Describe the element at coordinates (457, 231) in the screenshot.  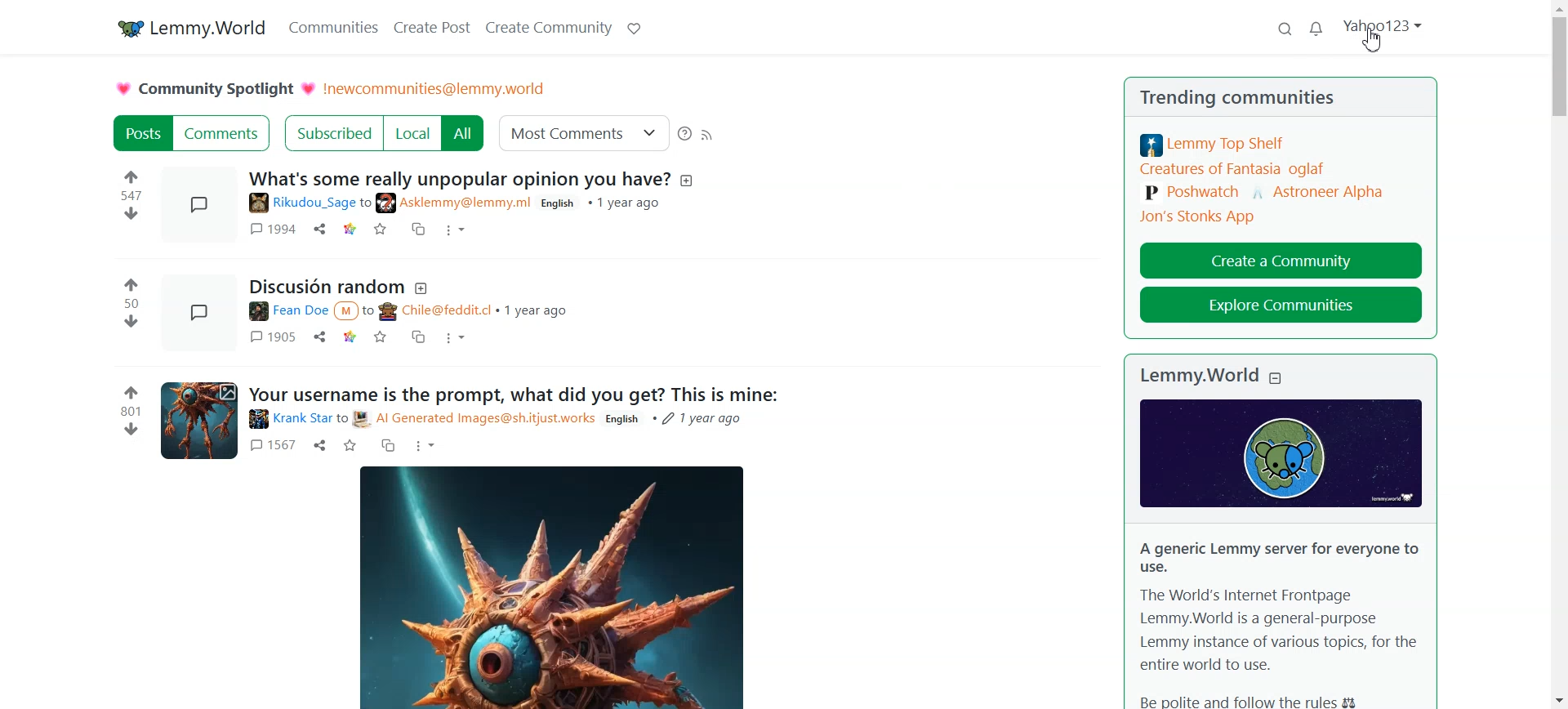
I see `more actions` at that location.